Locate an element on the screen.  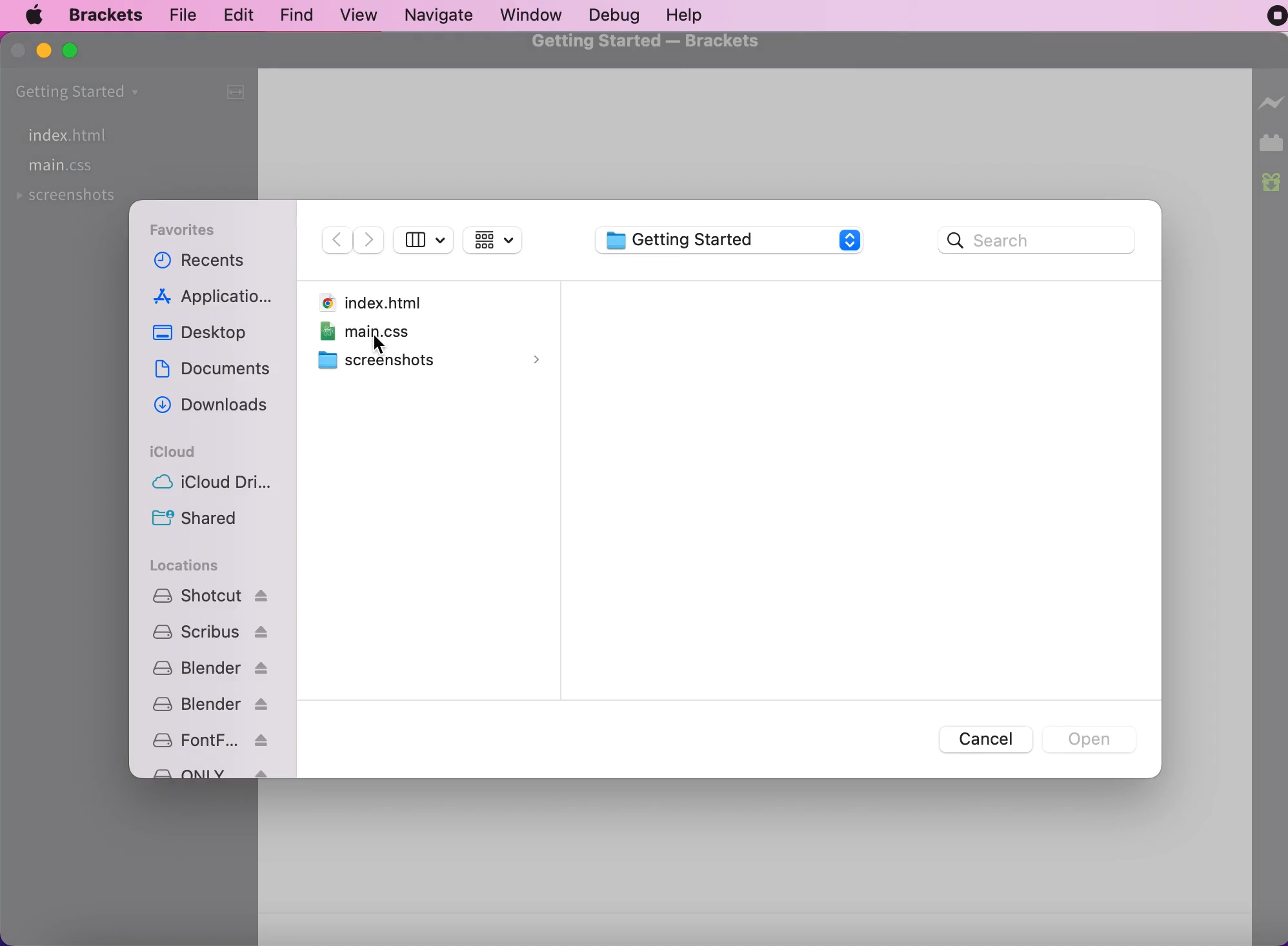
cursor is located at coordinates (376, 345).